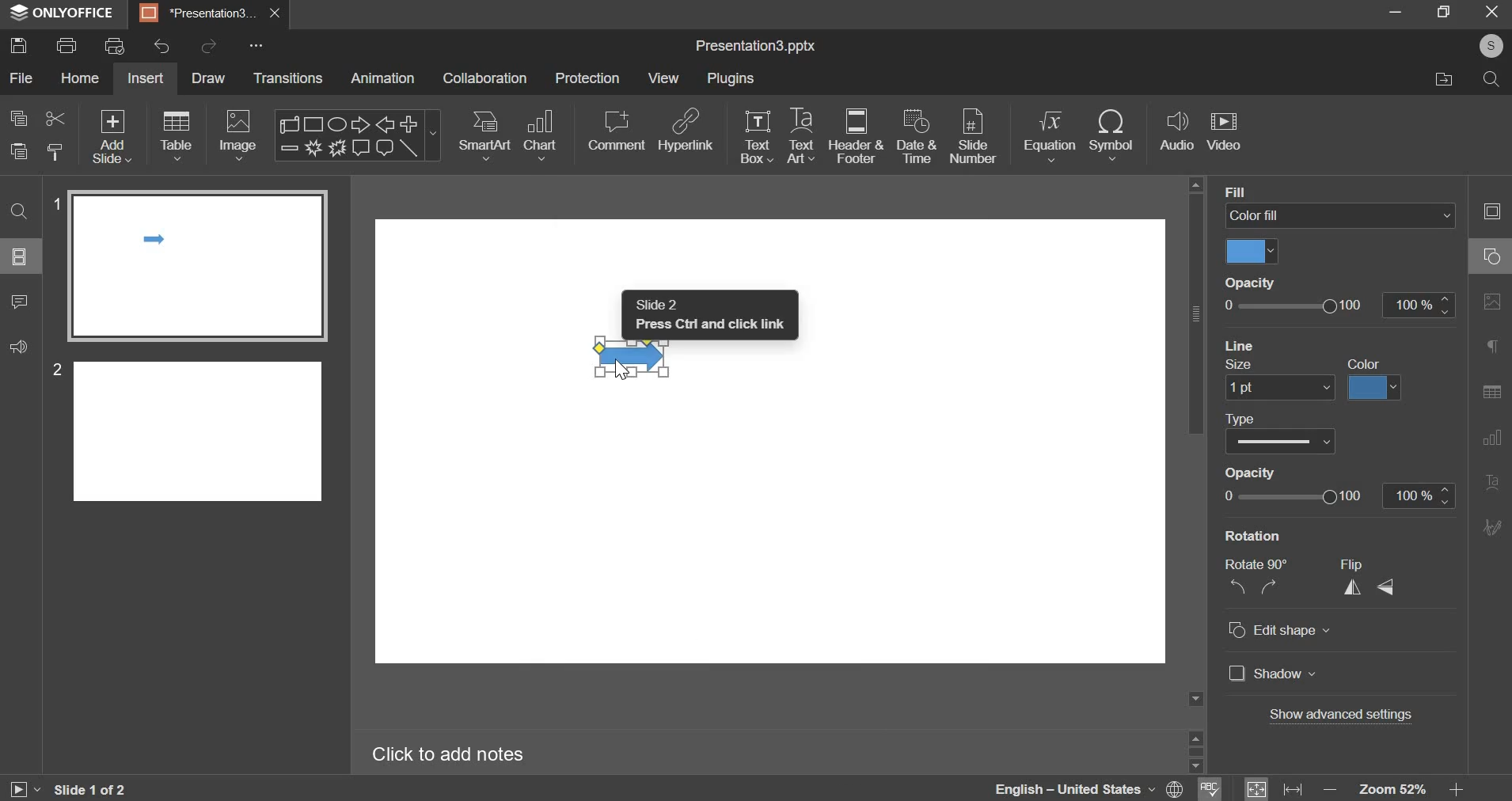 The height and width of the screenshot is (801, 1512). What do you see at coordinates (1488, 46) in the screenshot?
I see `account holder` at bounding box center [1488, 46].